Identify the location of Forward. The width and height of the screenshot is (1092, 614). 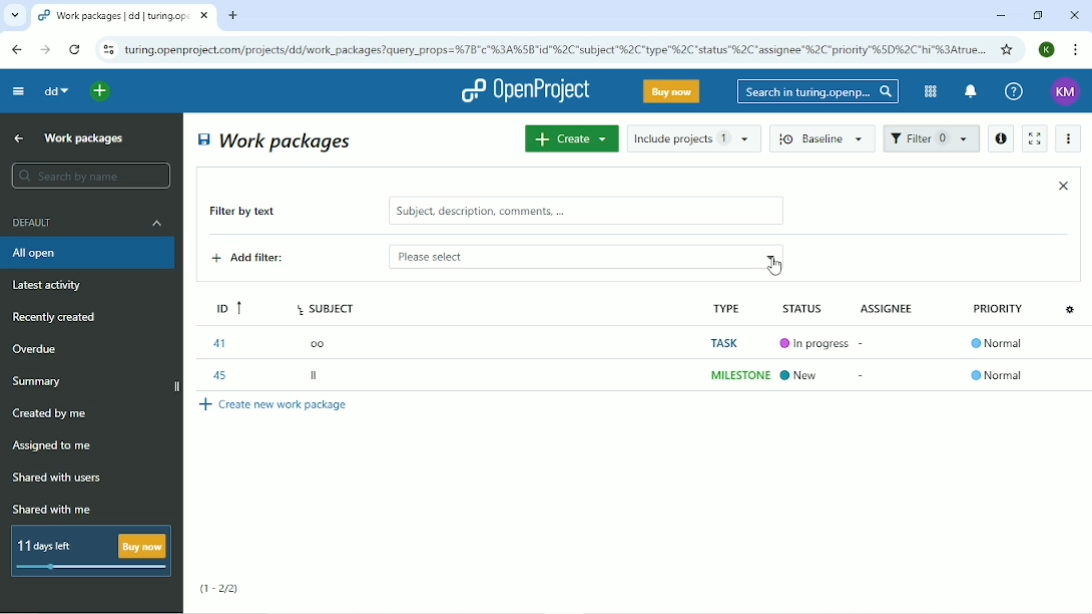
(43, 50).